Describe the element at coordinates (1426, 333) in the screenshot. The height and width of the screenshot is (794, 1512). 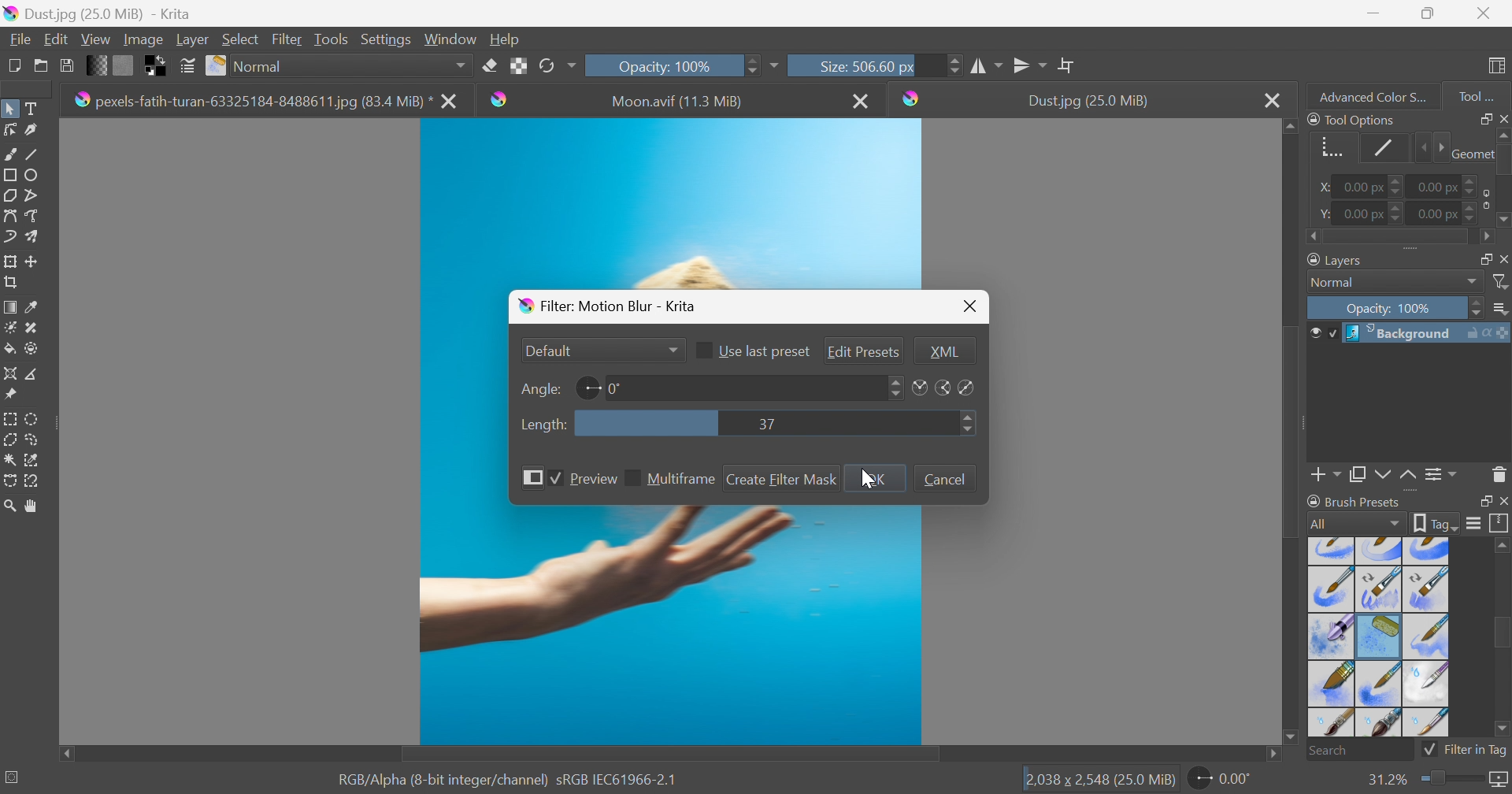
I see `Background Layer` at that location.